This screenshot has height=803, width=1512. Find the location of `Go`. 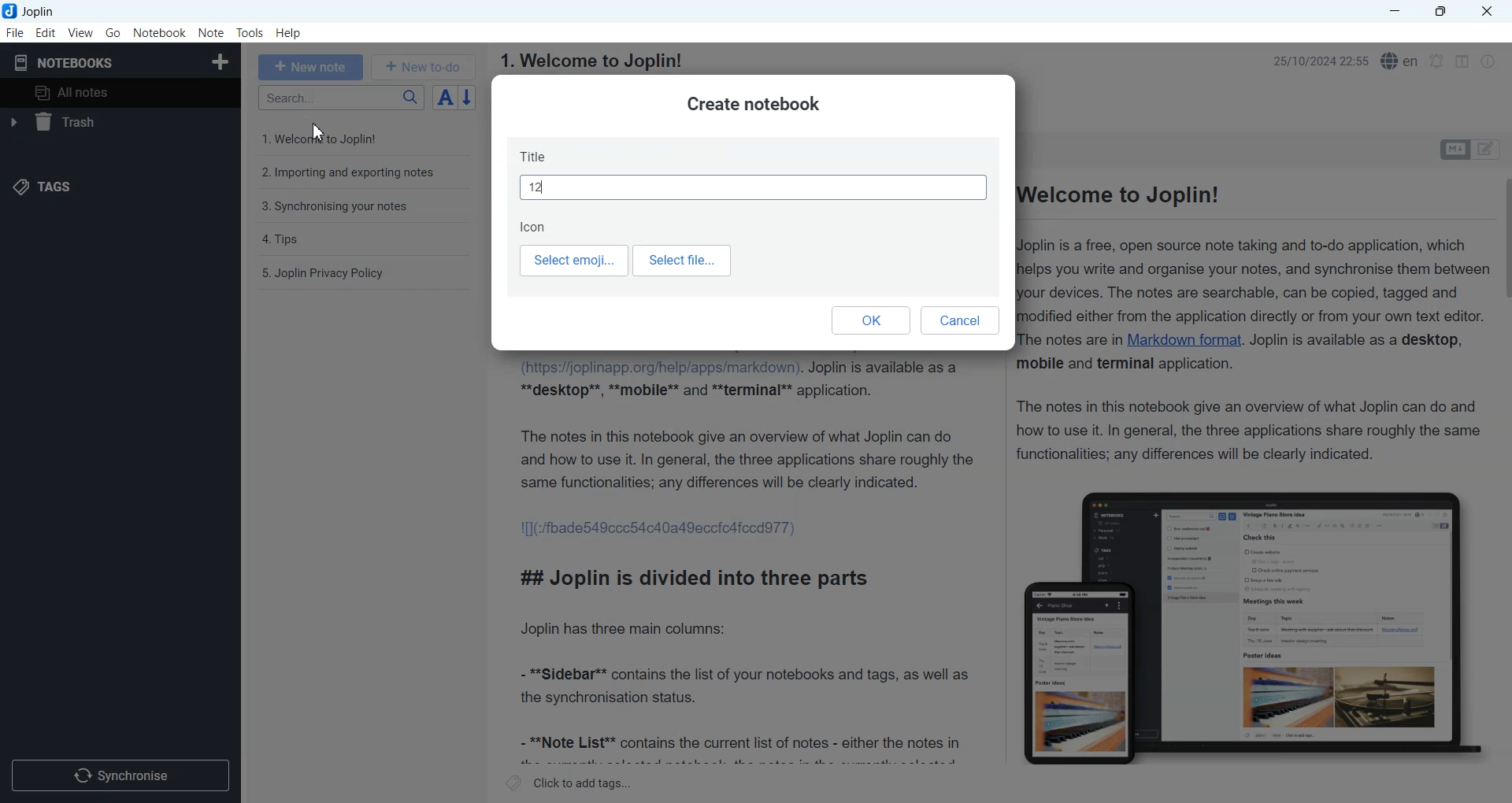

Go is located at coordinates (114, 32).